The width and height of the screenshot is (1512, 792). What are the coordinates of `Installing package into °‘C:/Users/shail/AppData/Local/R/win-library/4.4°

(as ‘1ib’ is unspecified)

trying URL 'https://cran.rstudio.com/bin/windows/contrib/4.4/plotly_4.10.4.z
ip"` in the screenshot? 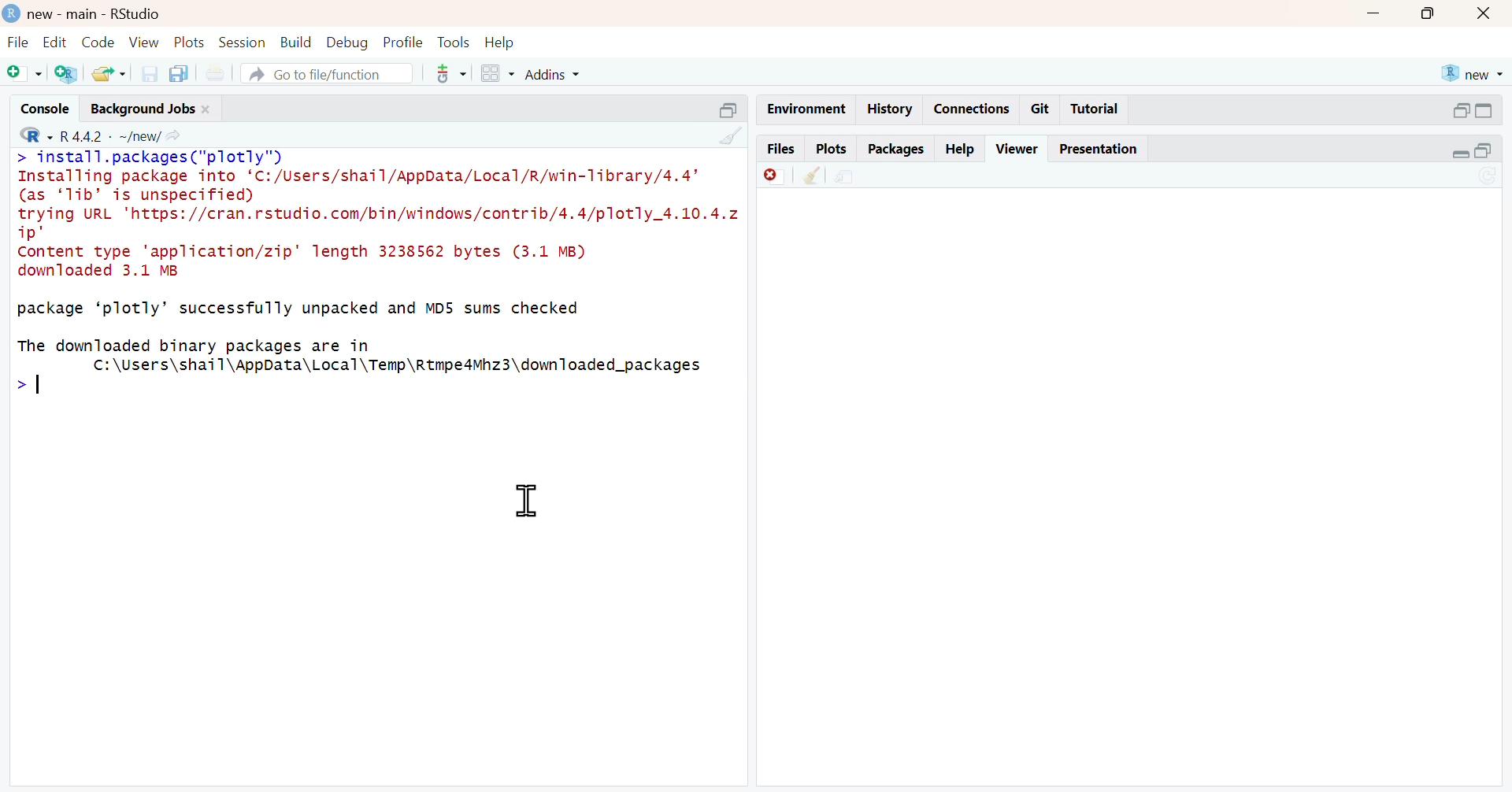 It's located at (376, 206).